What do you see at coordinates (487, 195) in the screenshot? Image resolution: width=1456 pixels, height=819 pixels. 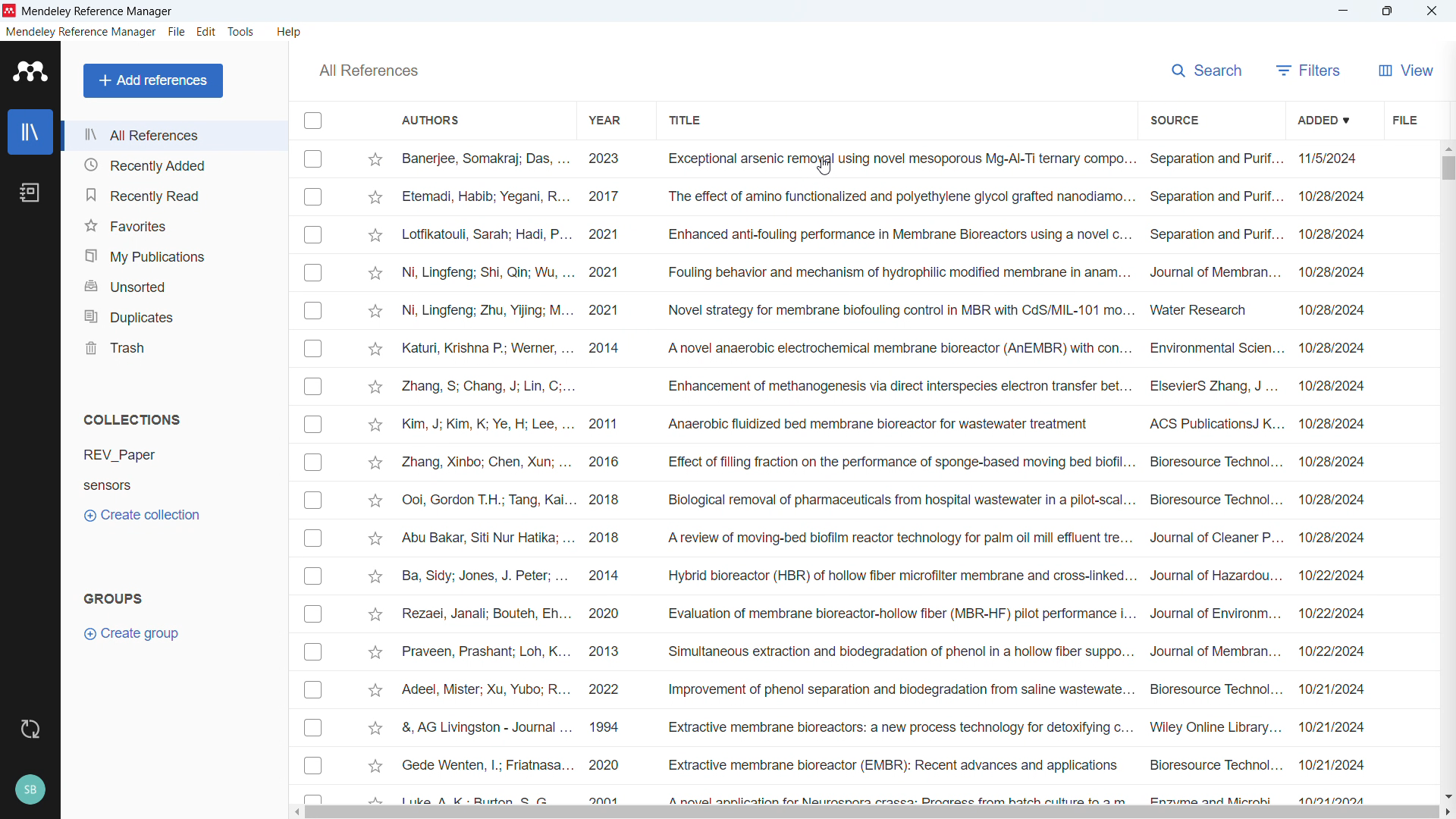 I see `etemadi,habib,yegani,r` at bounding box center [487, 195].